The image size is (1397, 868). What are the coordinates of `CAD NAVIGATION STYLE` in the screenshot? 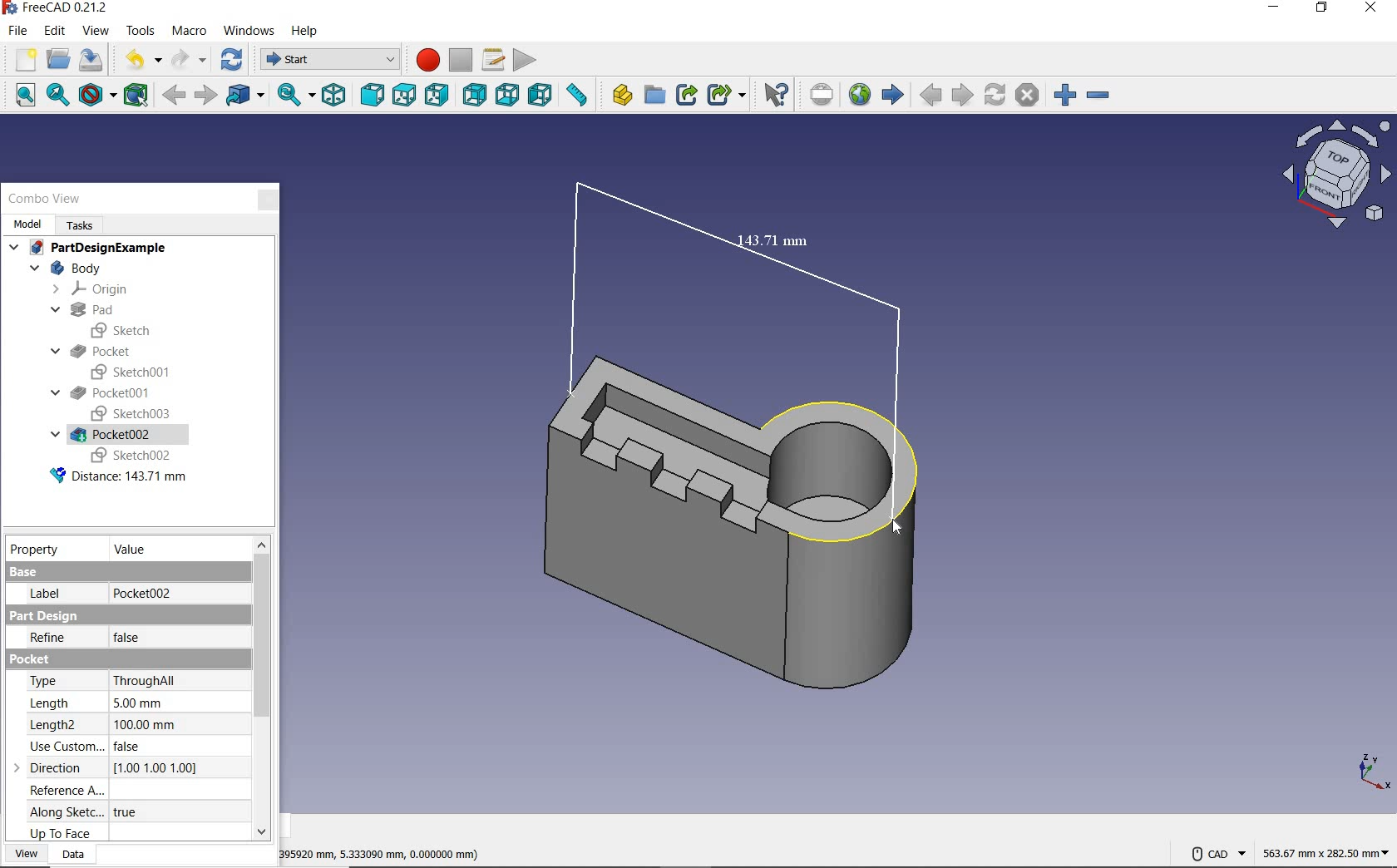 It's located at (1217, 854).